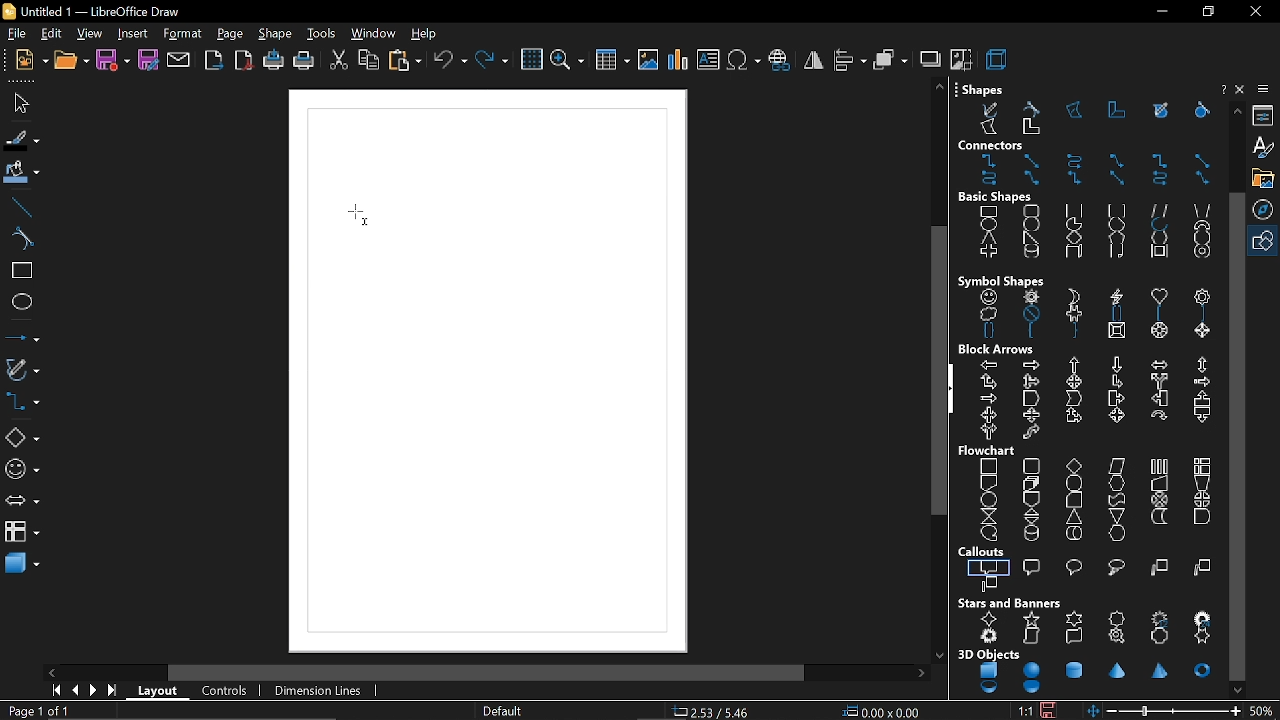 This screenshot has height=720, width=1280. What do you see at coordinates (1117, 467) in the screenshot?
I see `data` at bounding box center [1117, 467].